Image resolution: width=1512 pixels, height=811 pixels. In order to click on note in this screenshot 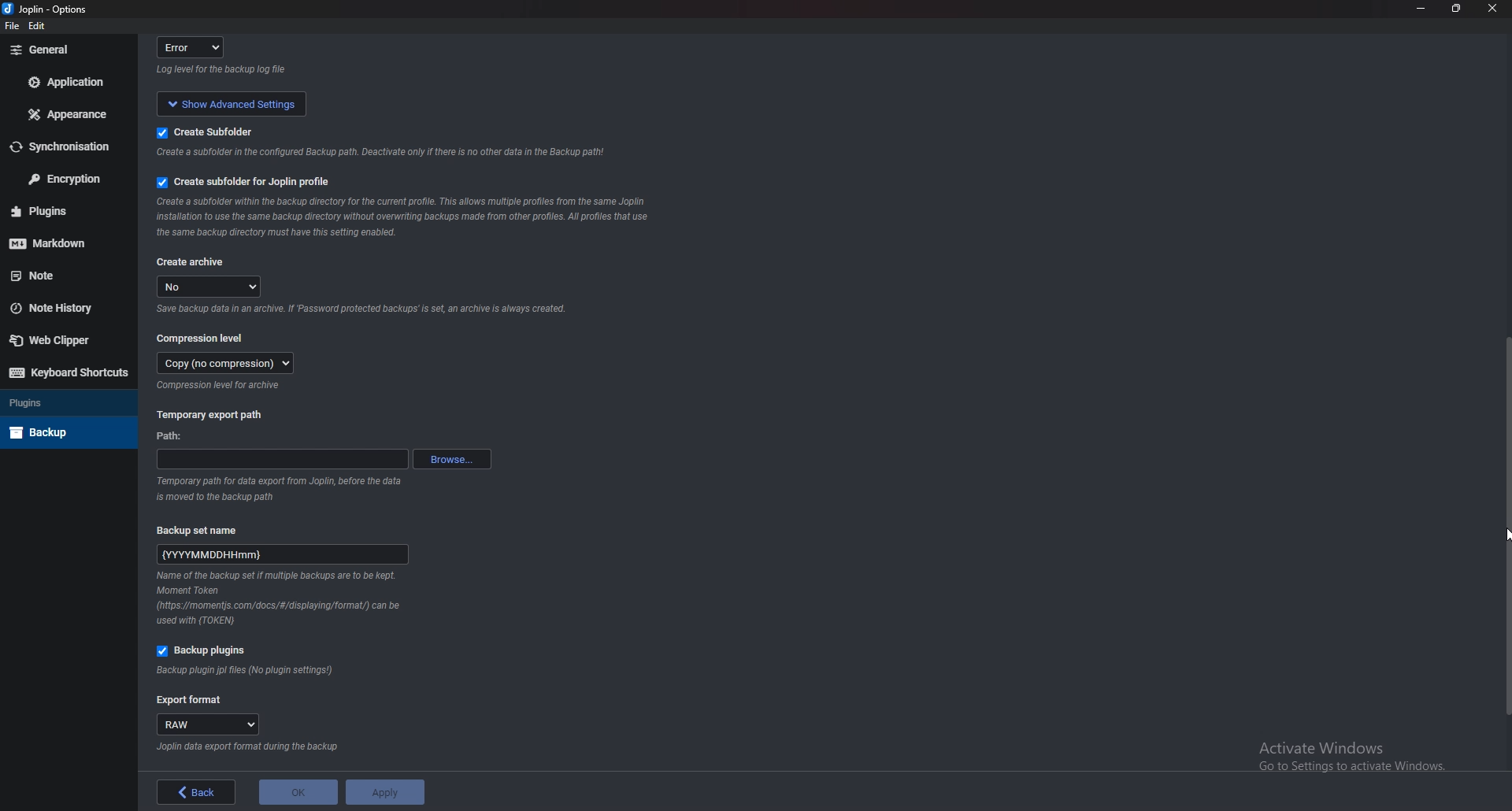, I will do `click(65, 275)`.